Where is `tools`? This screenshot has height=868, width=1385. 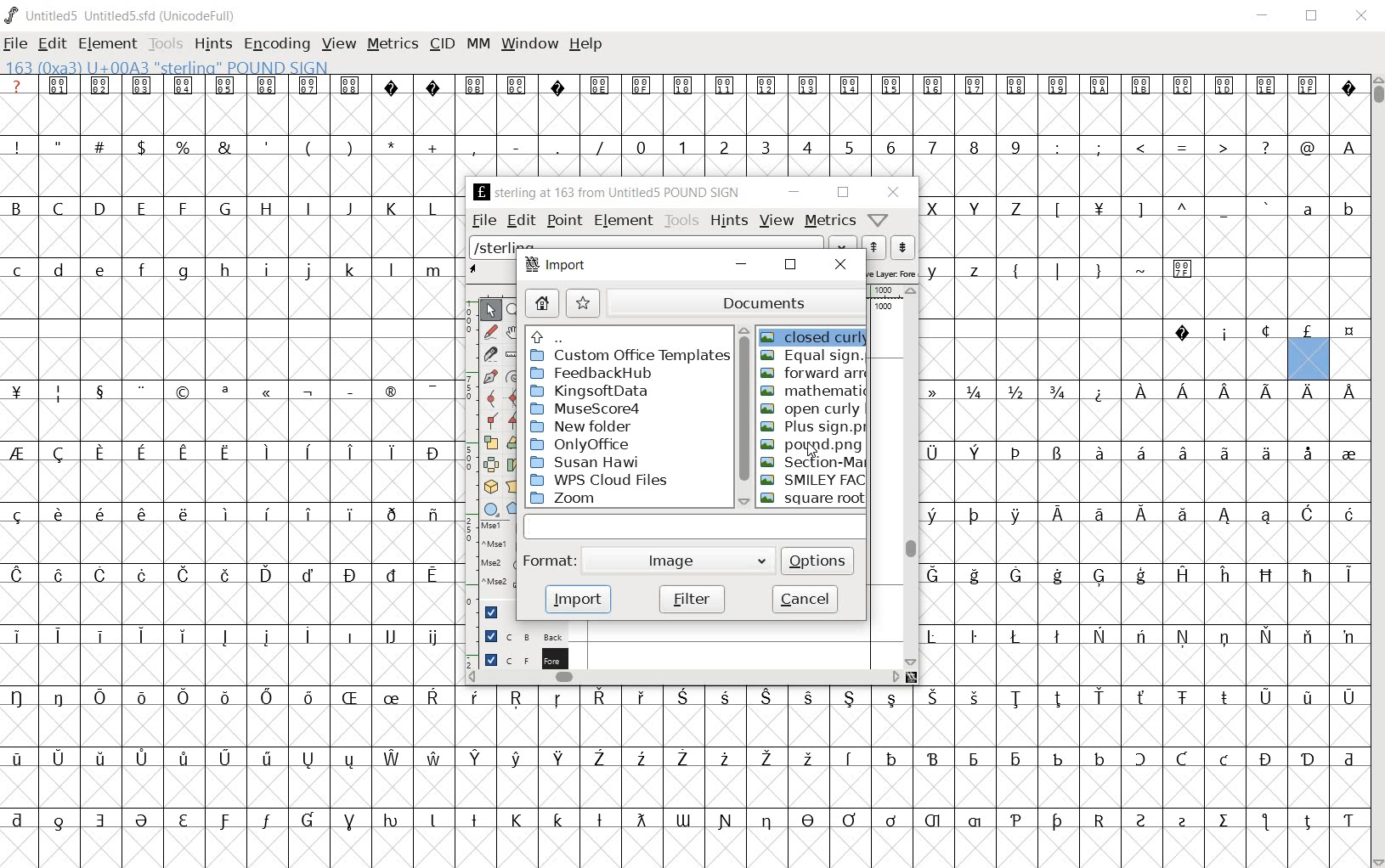
tools is located at coordinates (681, 220).